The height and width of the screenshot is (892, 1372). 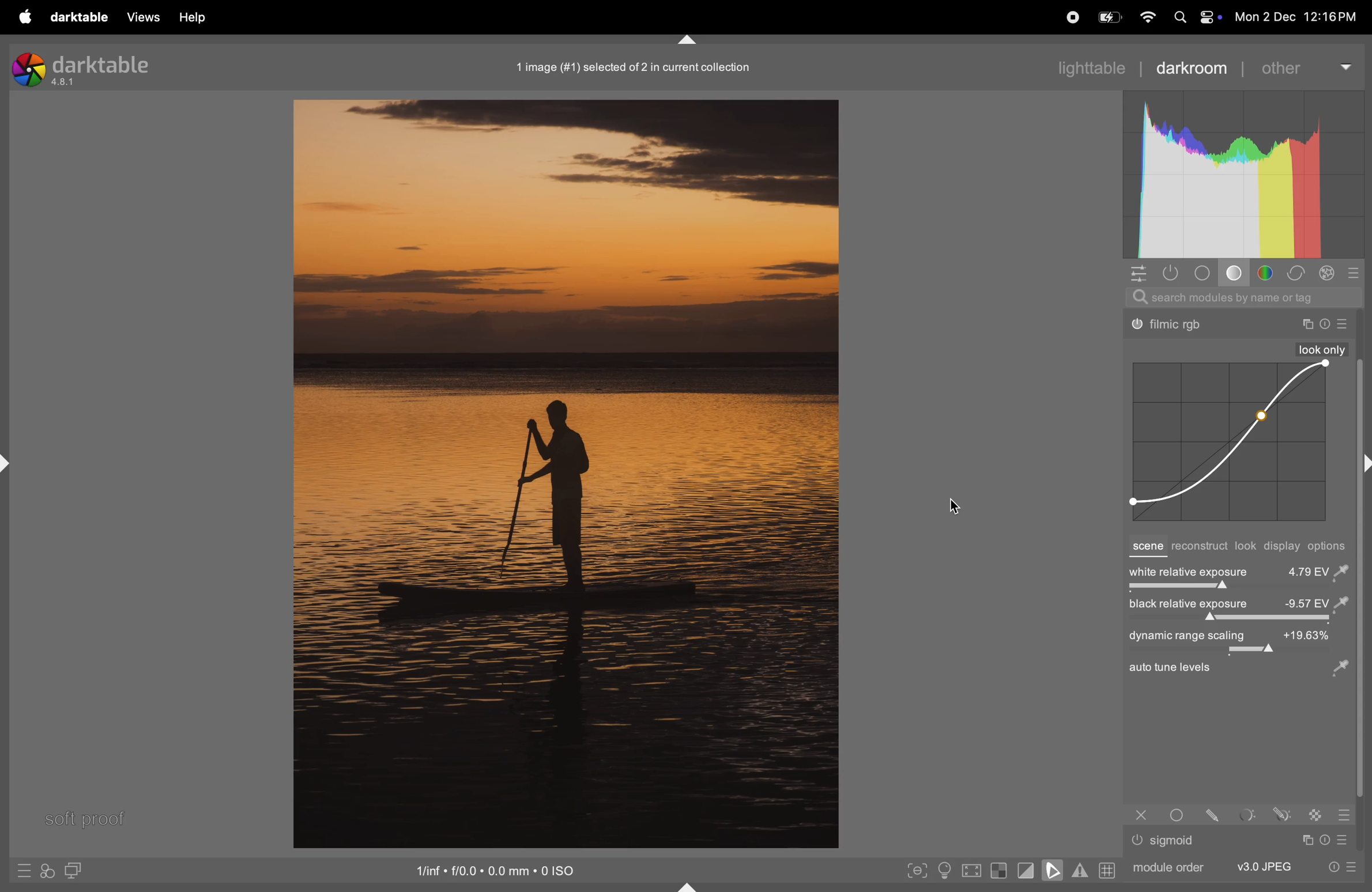 I want to click on grid, so click(x=1106, y=870).